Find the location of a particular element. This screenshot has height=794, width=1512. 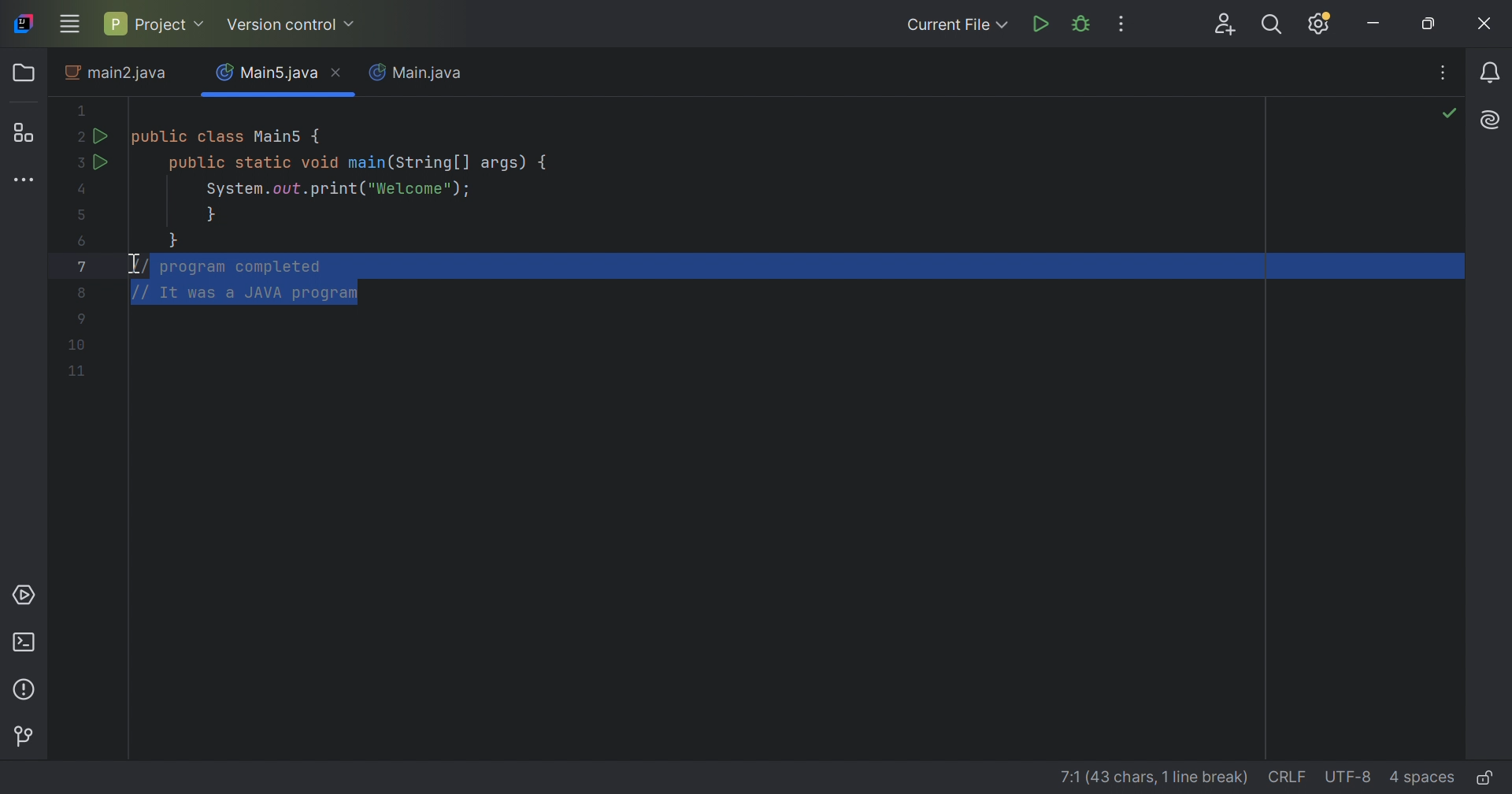

Close is located at coordinates (340, 74).